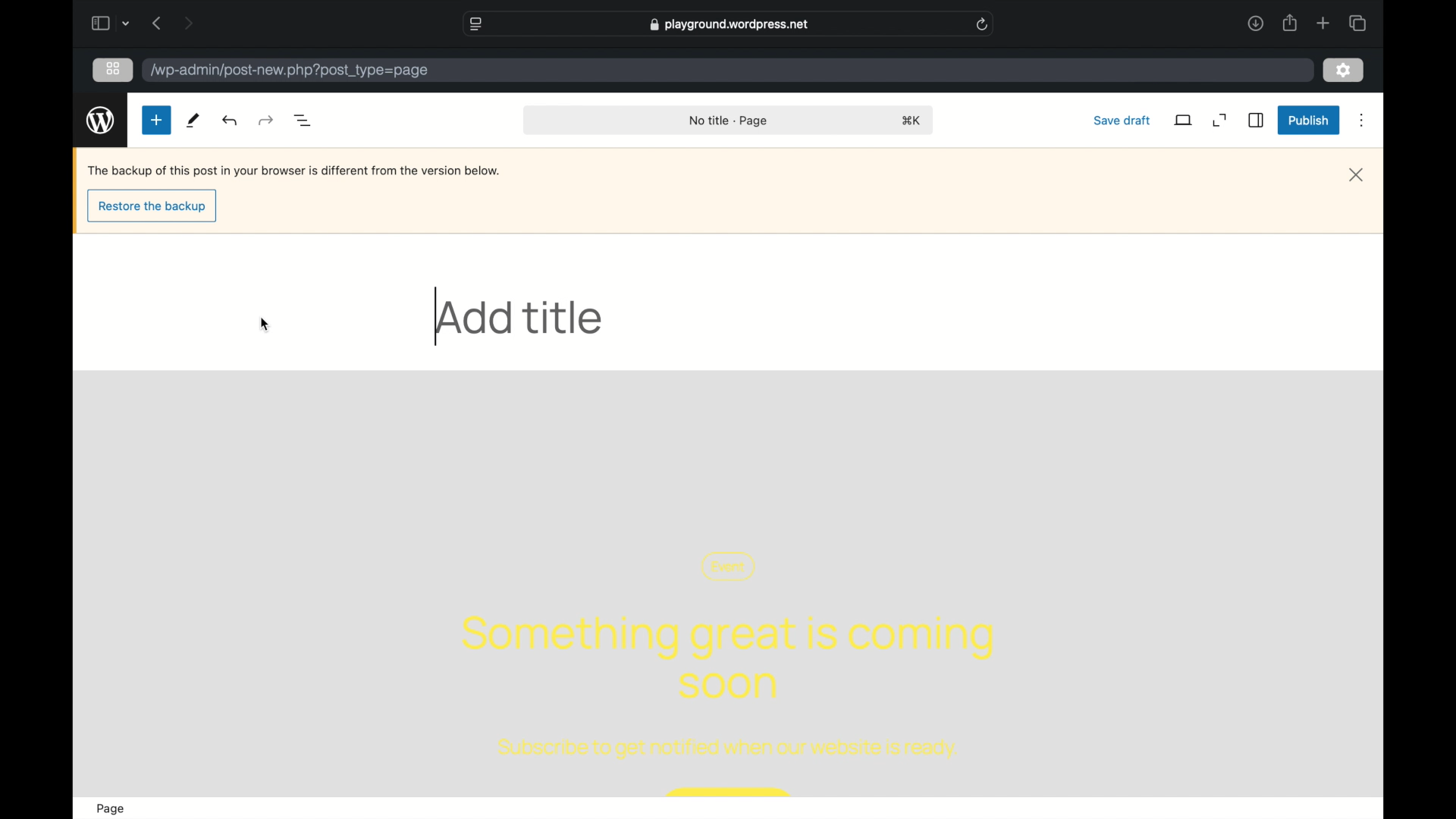  Describe the element at coordinates (193, 121) in the screenshot. I see `tools` at that location.